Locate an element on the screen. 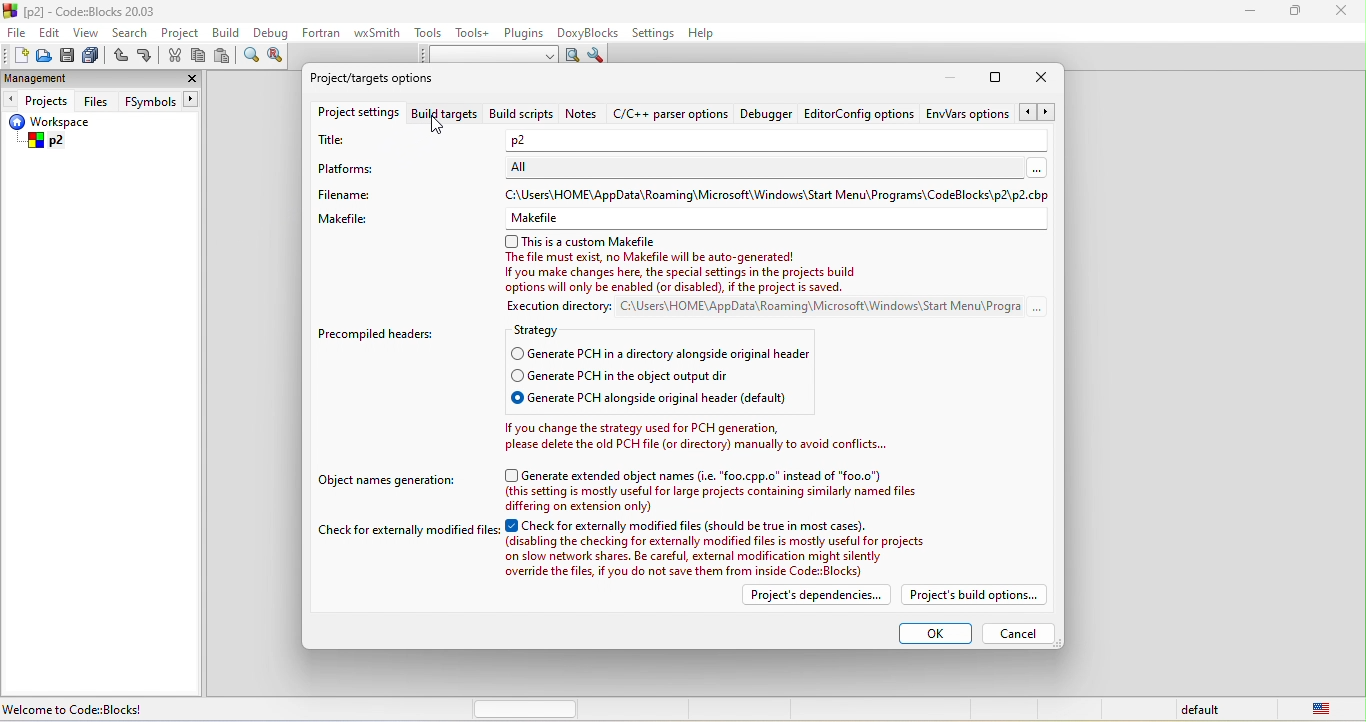 The image size is (1366, 722). open is located at coordinates (41, 59).